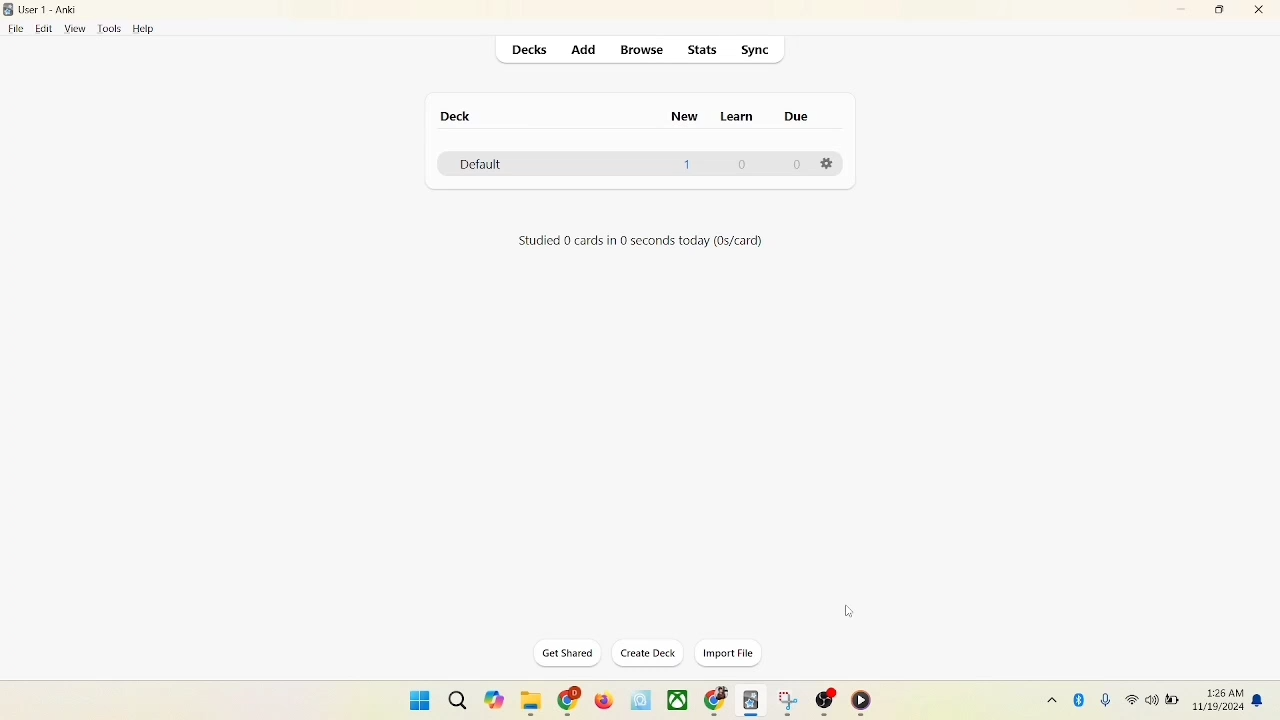 Image resolution: width=1280 pixels, height=720 pixels. I want to click on microphone, so click(1102, 698).